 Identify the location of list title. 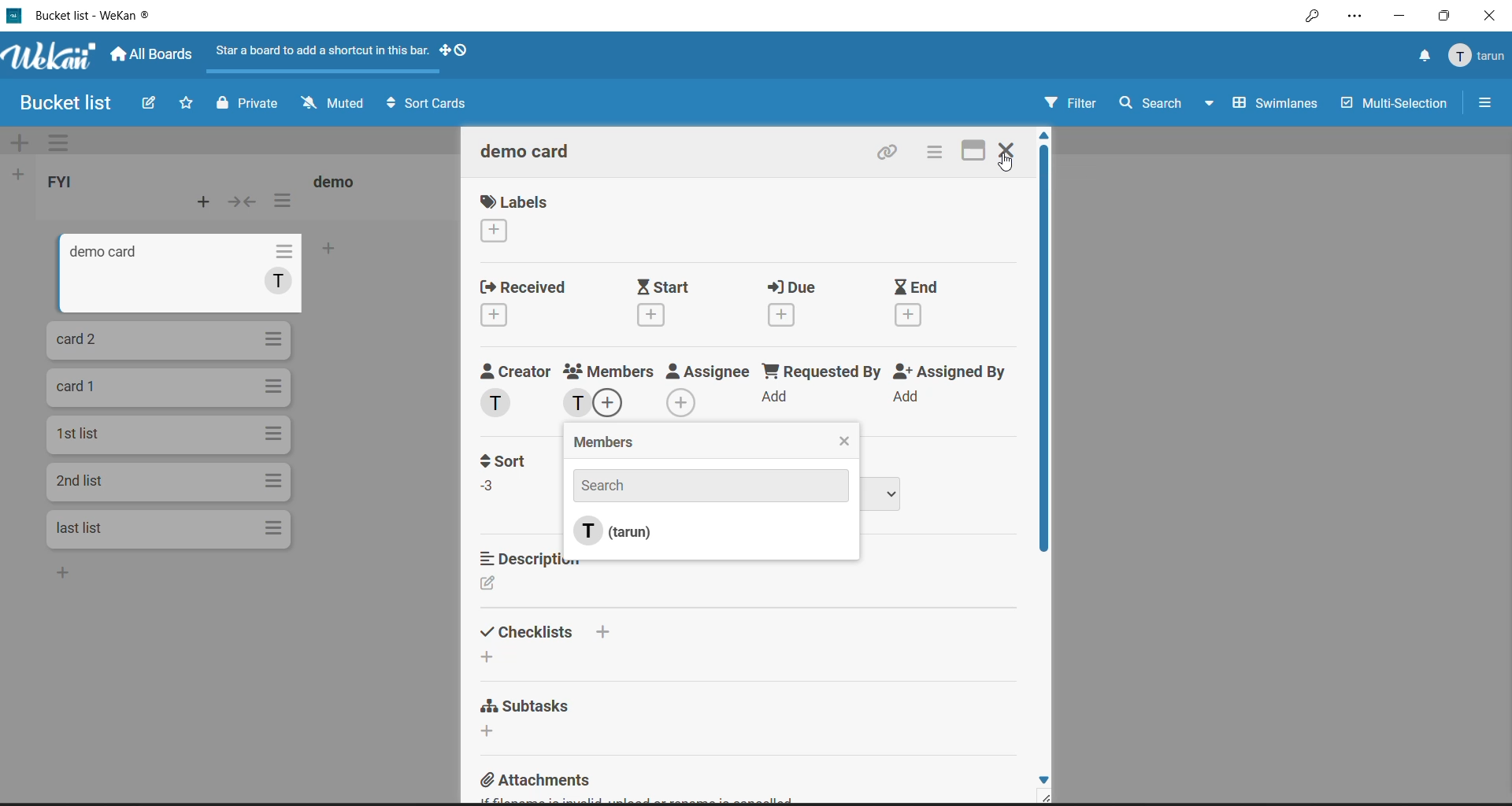
(65, 183).